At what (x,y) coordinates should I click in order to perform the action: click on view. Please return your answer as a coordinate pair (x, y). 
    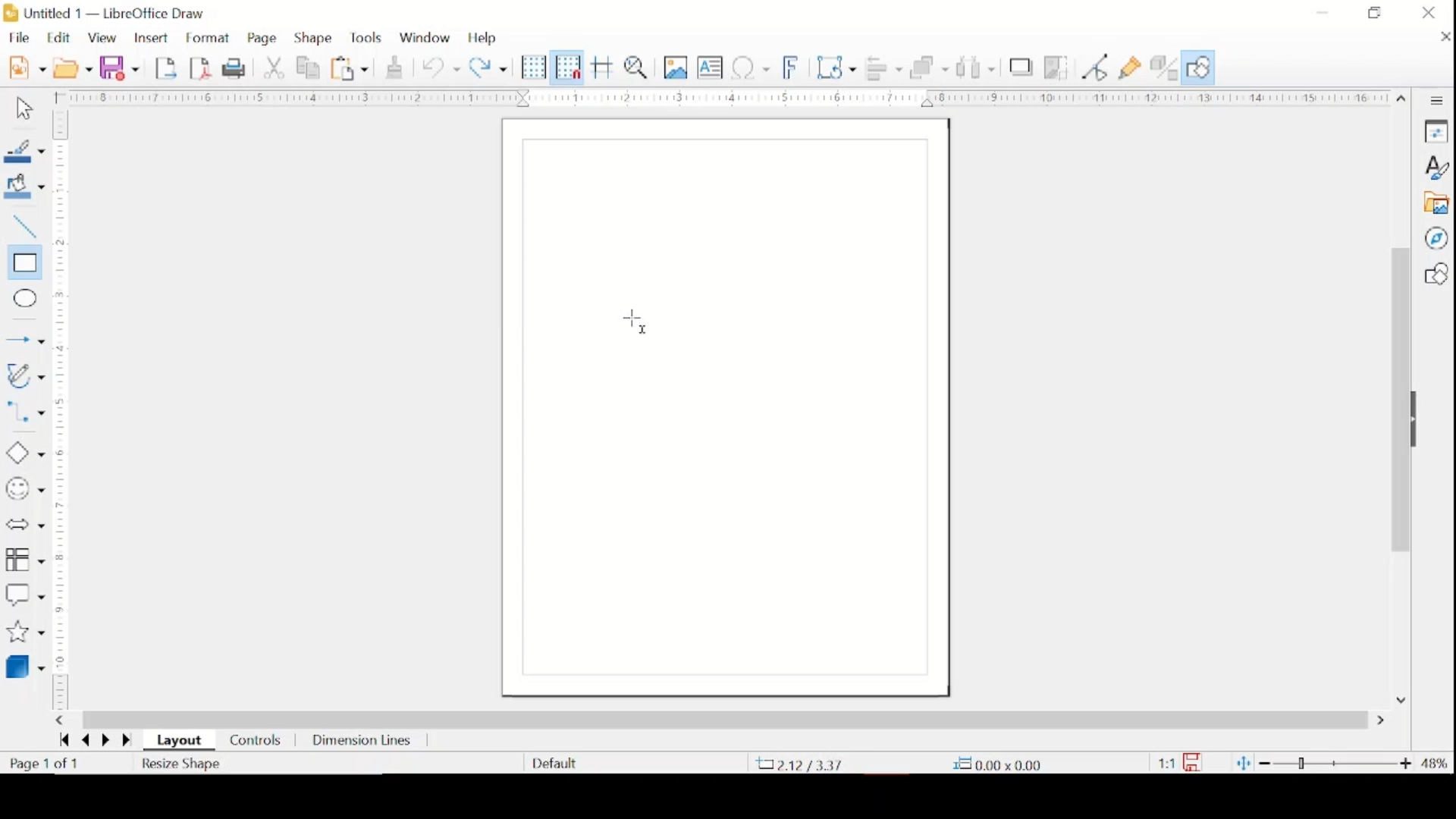
    Looking at the image, I should click on (104, 39).